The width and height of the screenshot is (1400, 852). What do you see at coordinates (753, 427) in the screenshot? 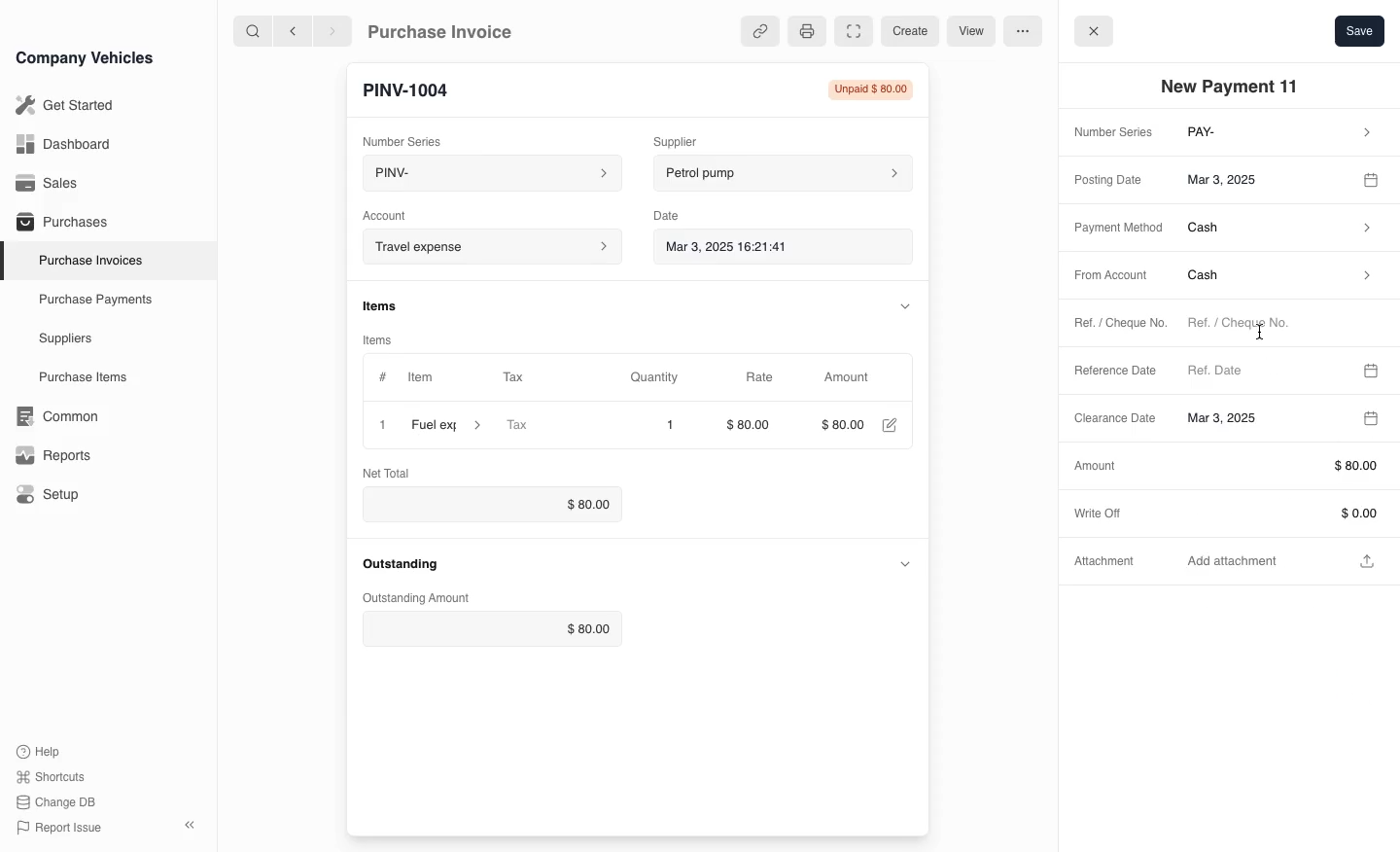
I see `$80.00` at bounding box center [753, 427].